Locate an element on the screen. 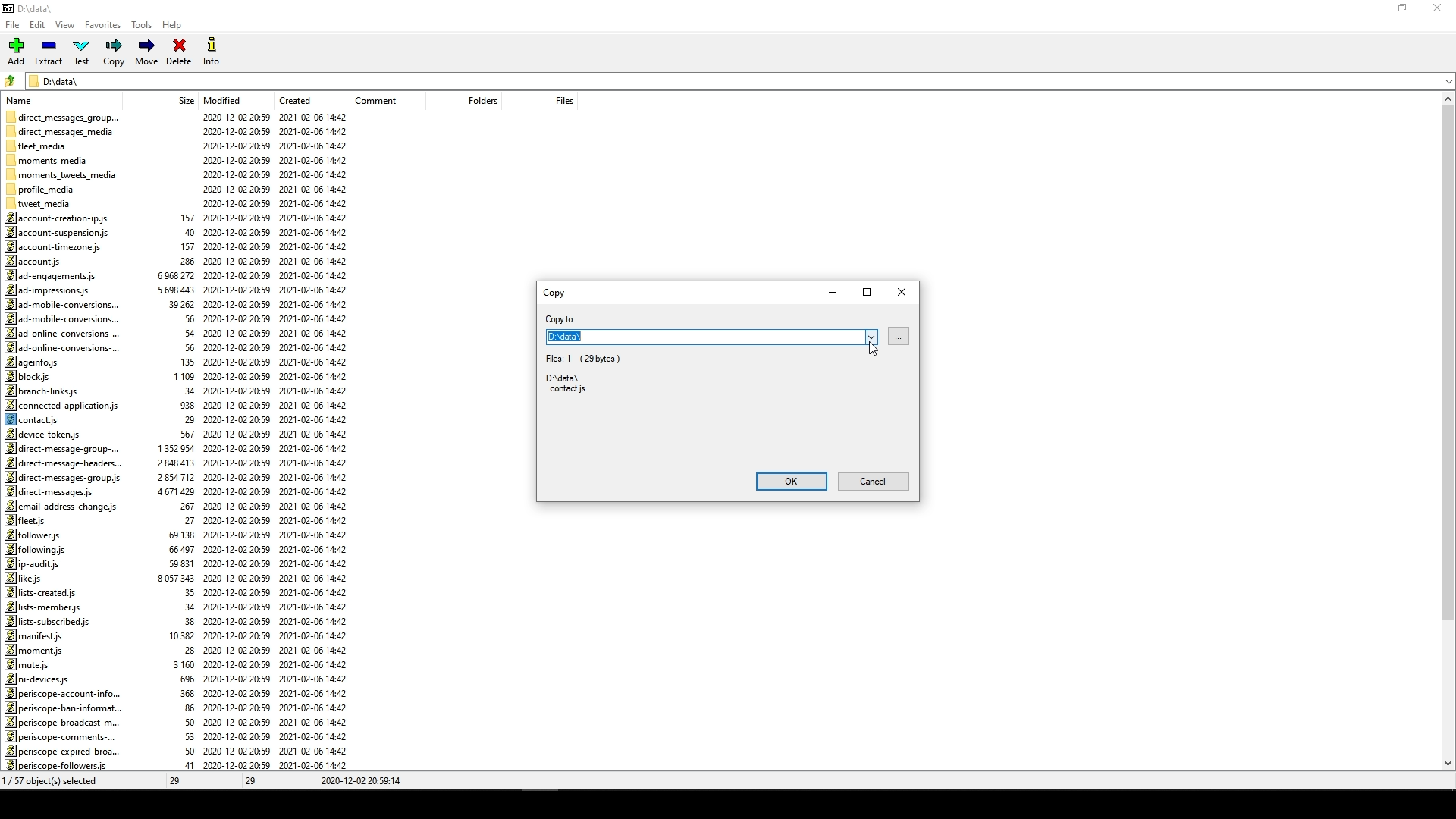 This screenshot has width=1456, height=819. size is located at coordinates (178, 479).